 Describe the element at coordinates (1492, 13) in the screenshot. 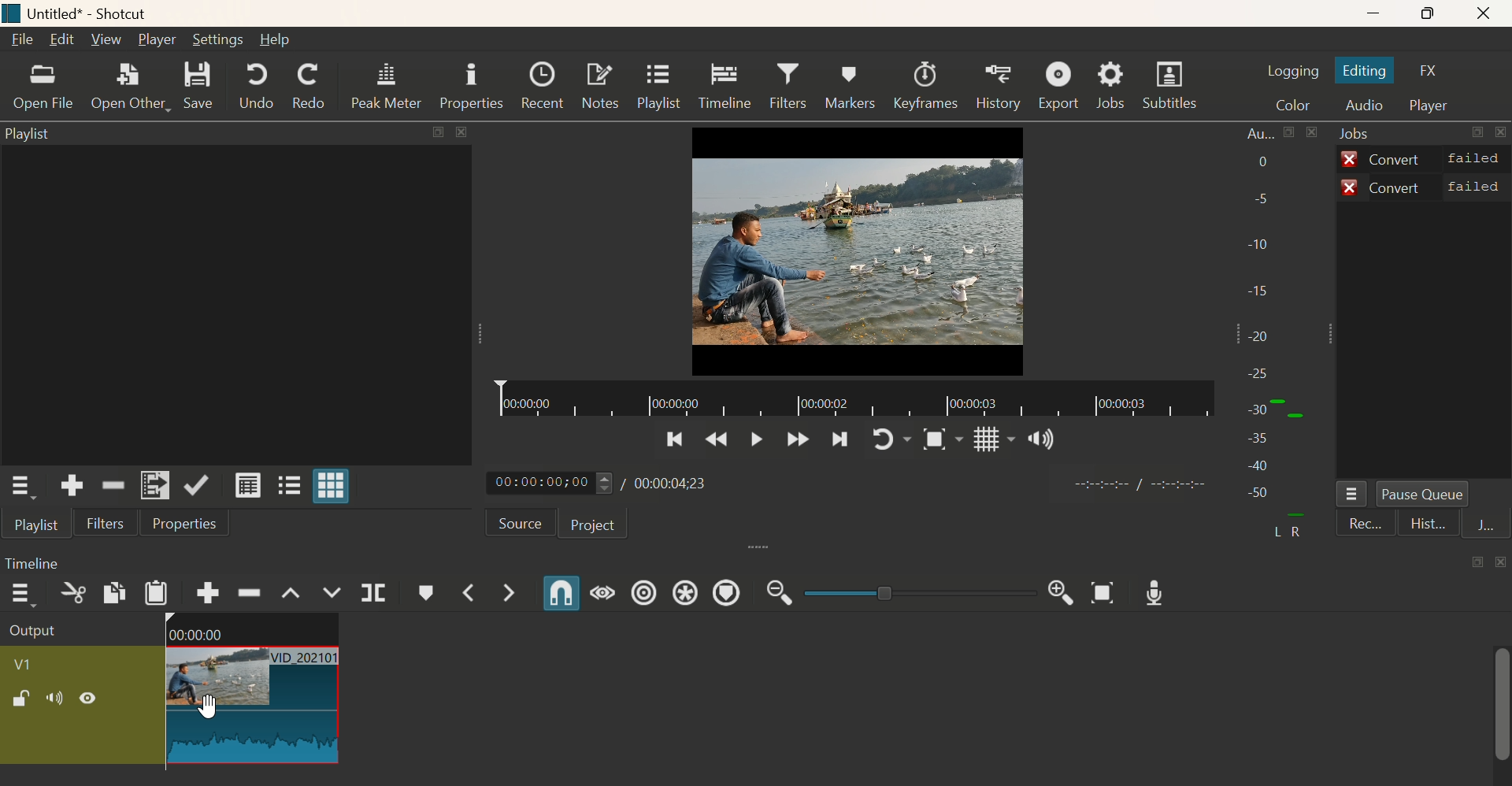

I see `Close` at that location.